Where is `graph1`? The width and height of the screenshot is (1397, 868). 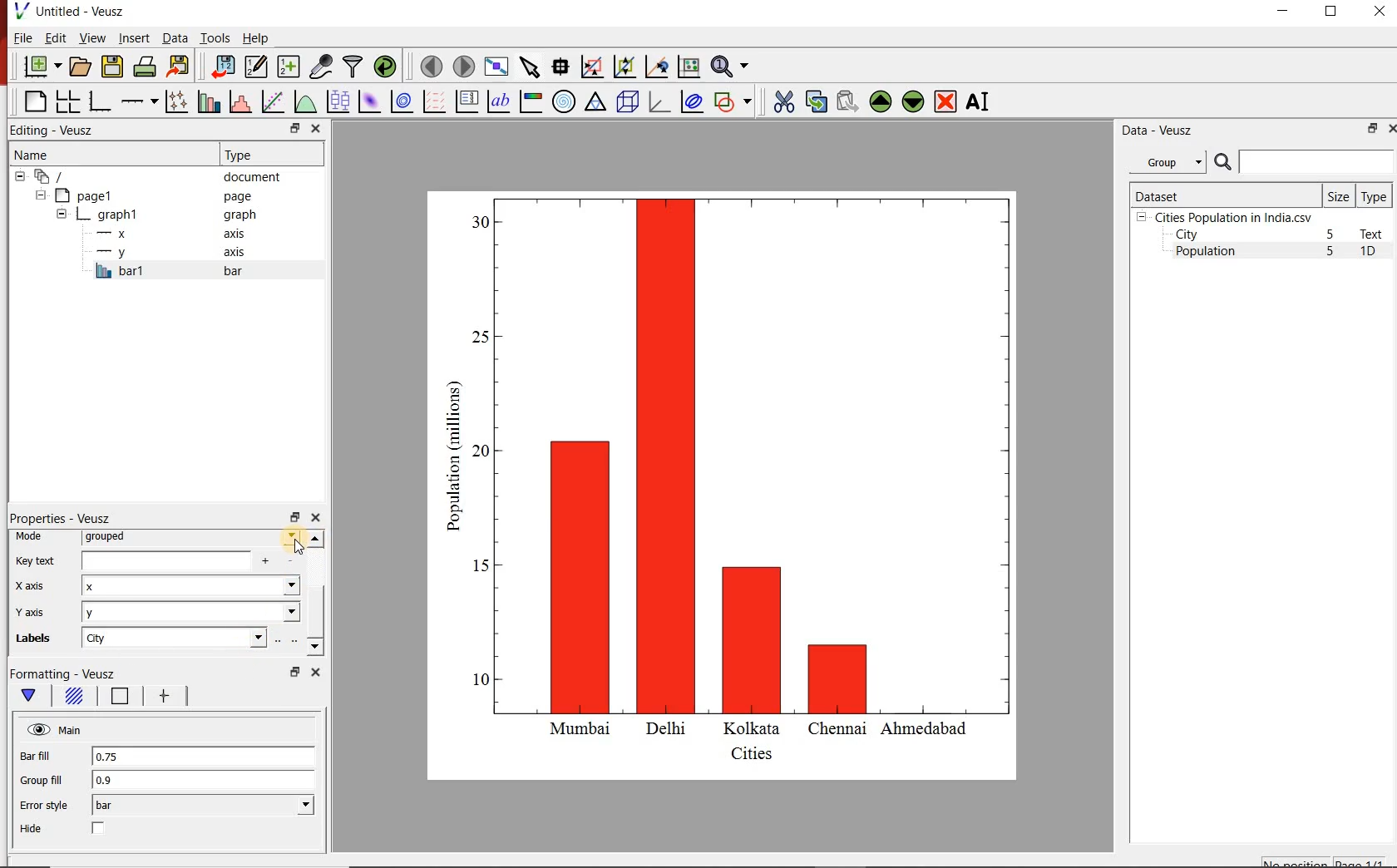
graph1 is located at coordinates (159, 215).